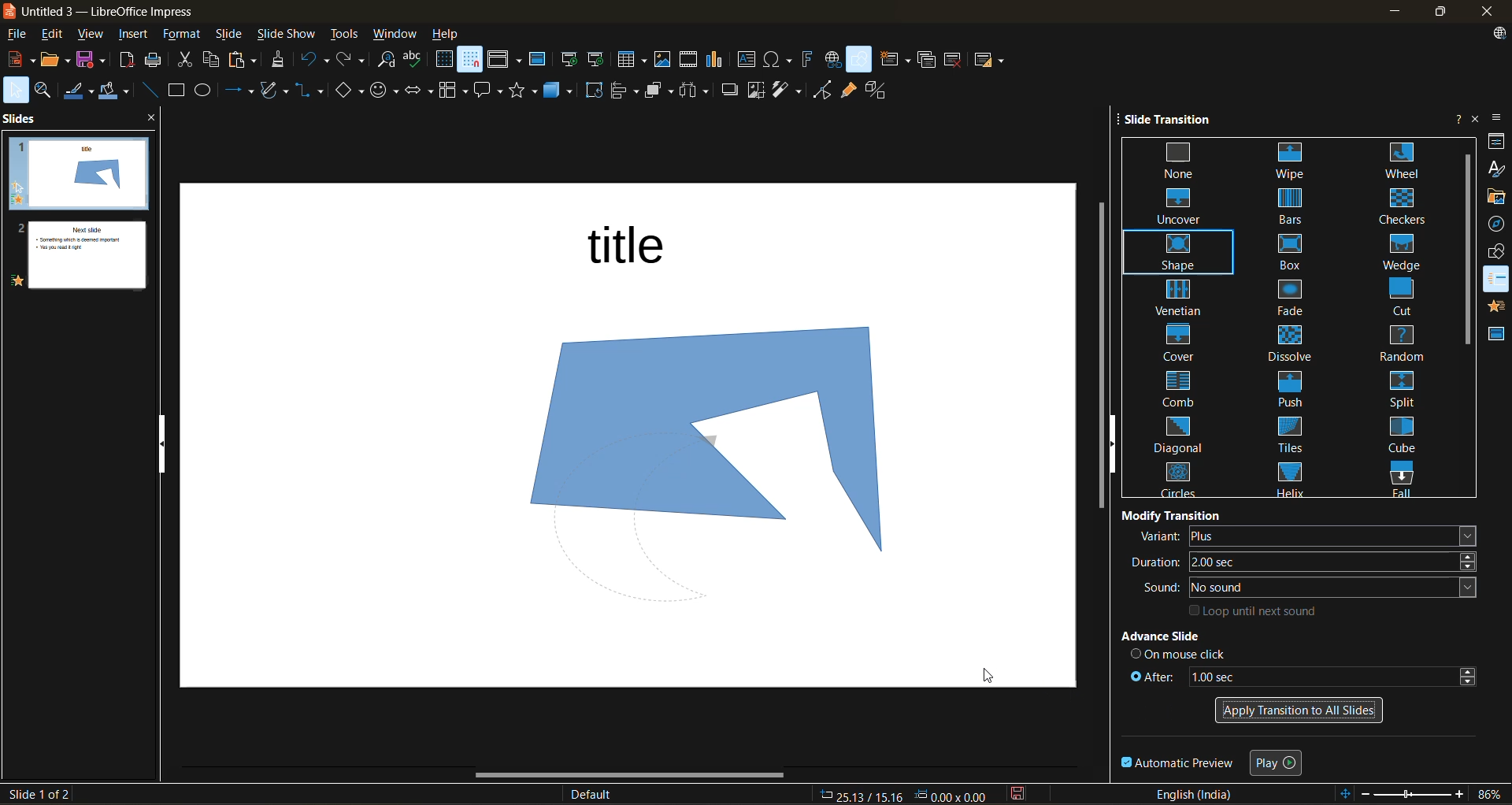 The image size is (1512, 805). I want to click on advance slide, so click(1188, 637).